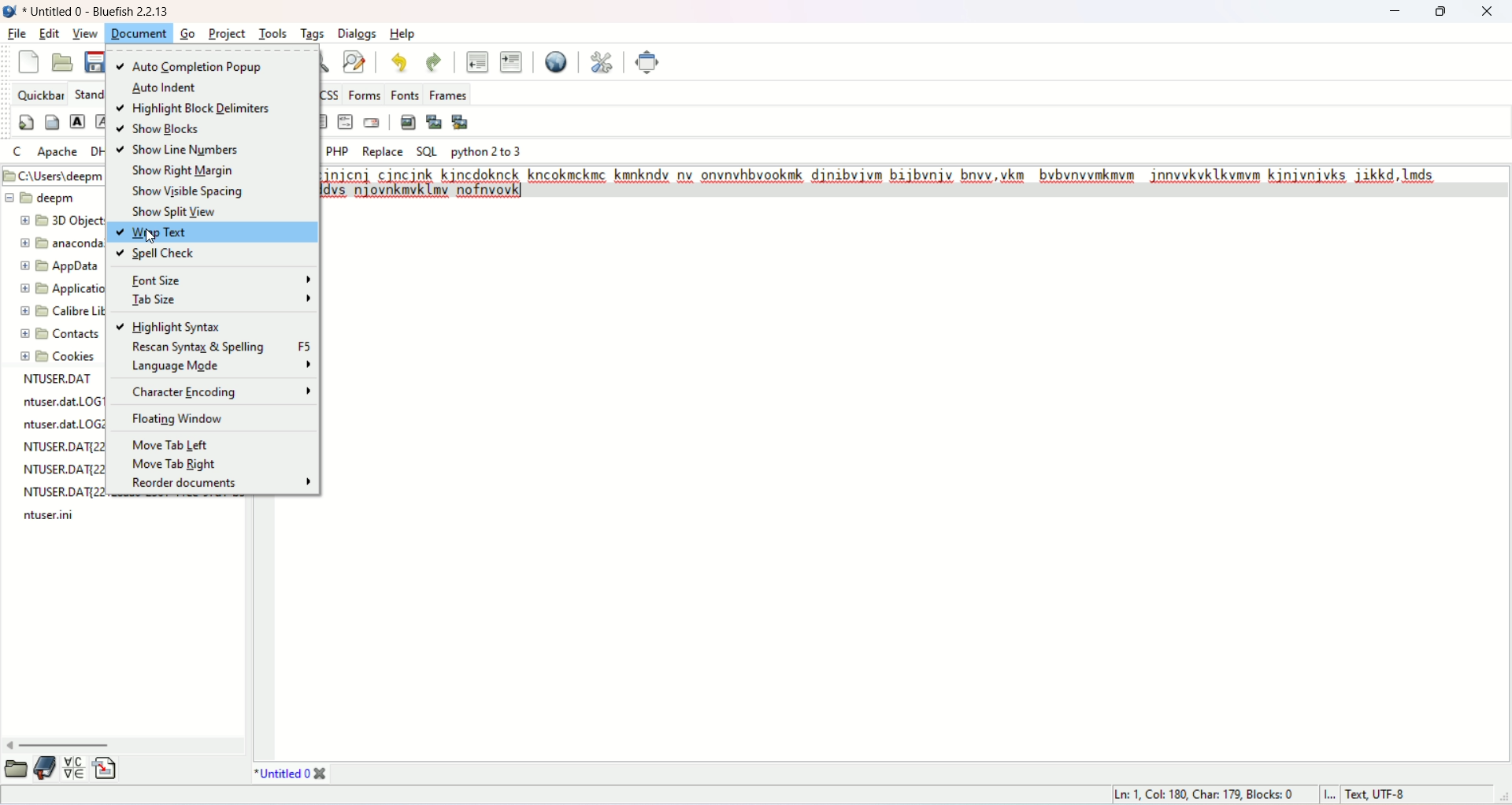  Describe the element at coordinates (193, 64) in the screenshot. I see `auto completion popup` at that location.